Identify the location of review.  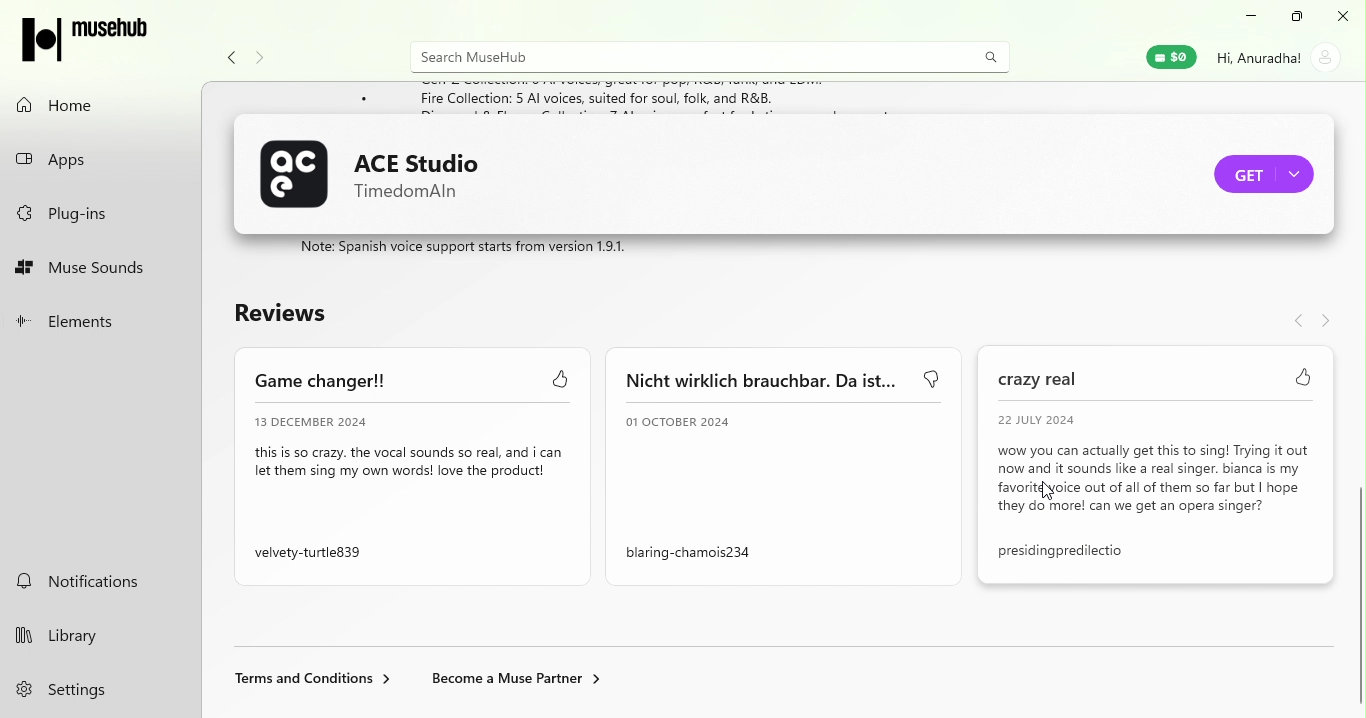
(414, 469).